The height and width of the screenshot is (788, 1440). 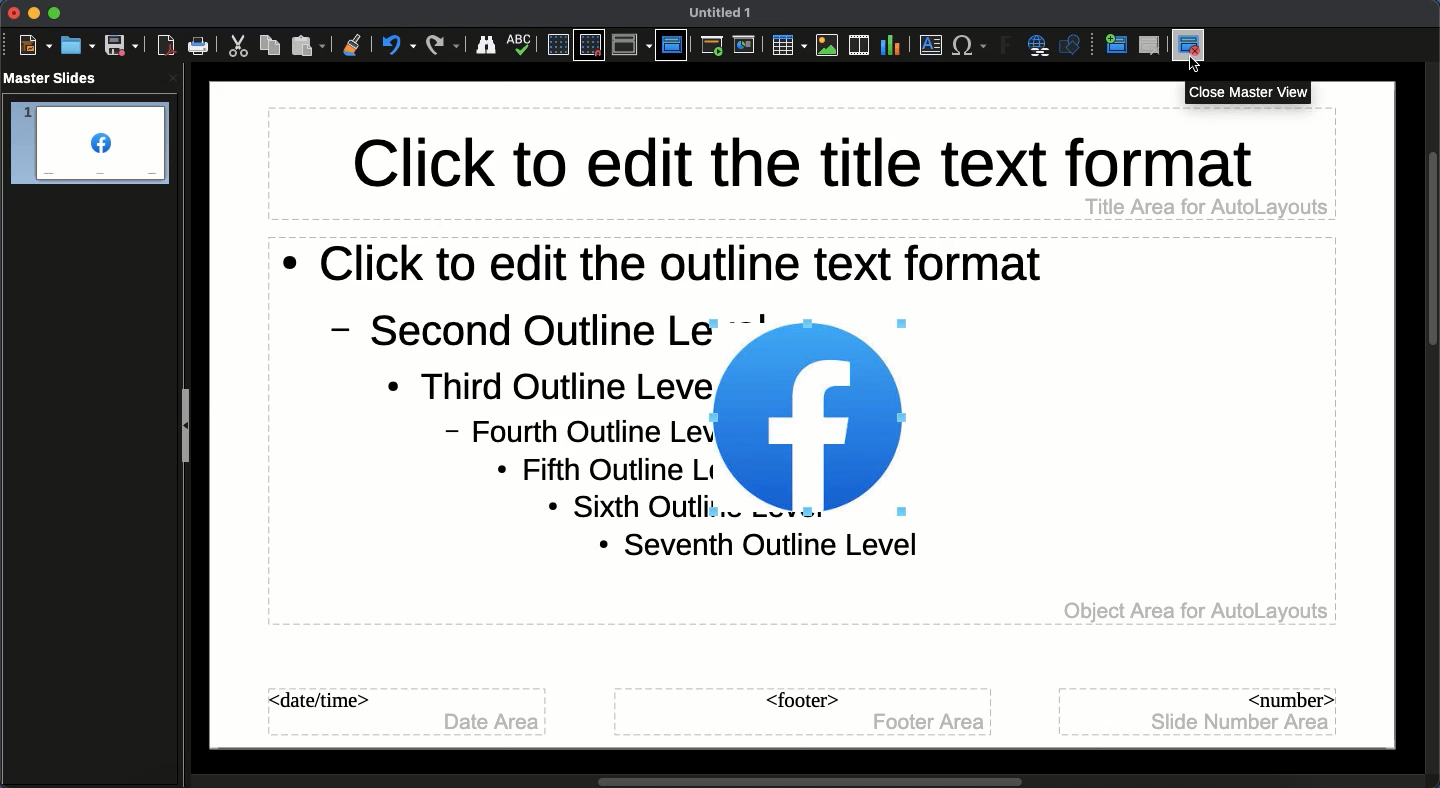 What do you see at coordinates (1190, 68) in the screenshot?
I see `rsor` at bounding box center [1190, 68].